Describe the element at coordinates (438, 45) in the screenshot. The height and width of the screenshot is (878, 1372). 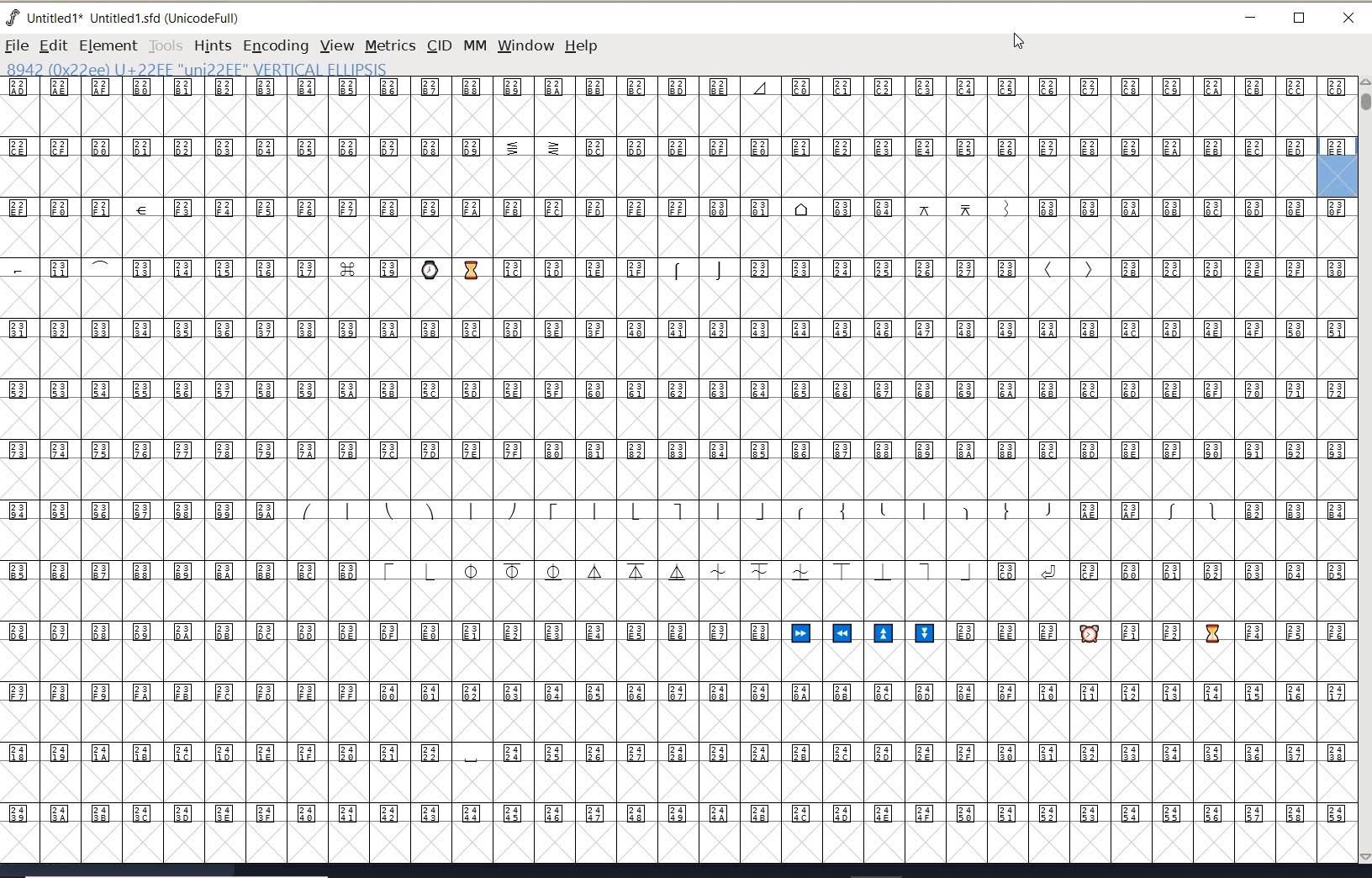
I see `CID` at that location.